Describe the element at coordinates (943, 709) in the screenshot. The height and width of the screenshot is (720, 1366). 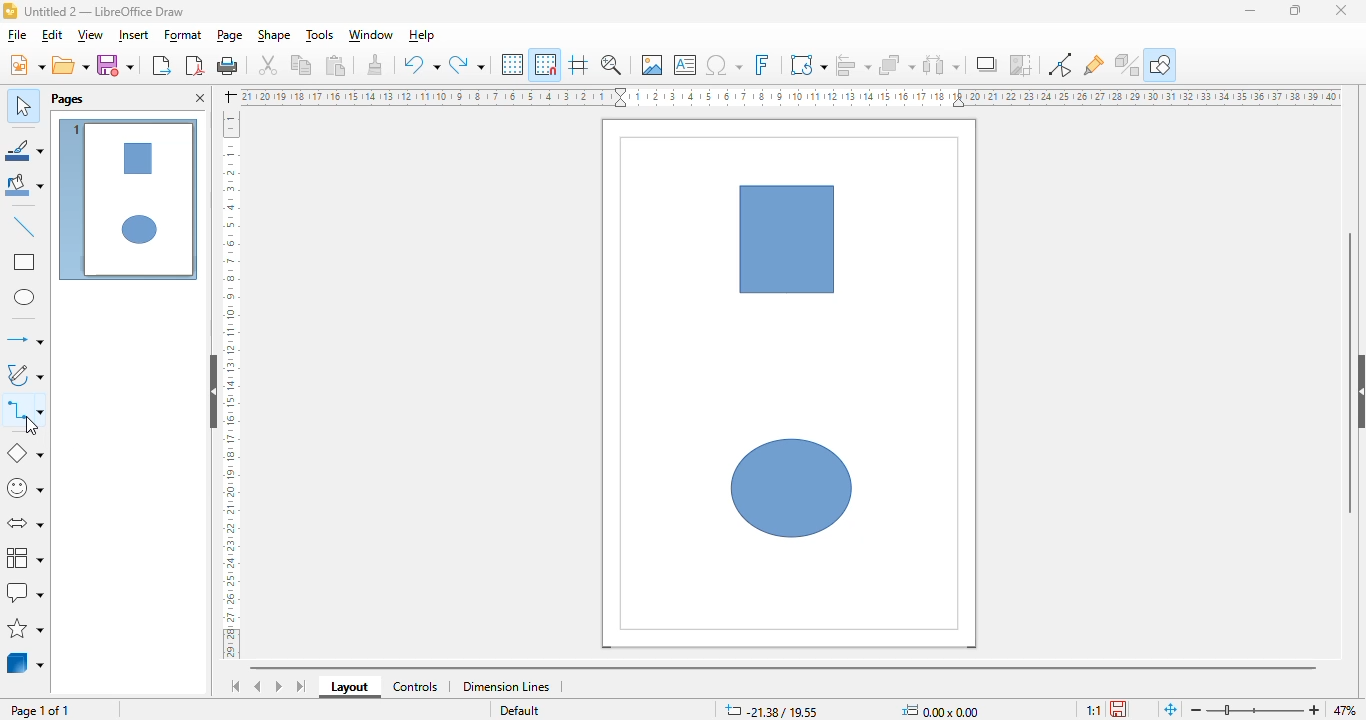
I see `0.00x0.00` at that location.